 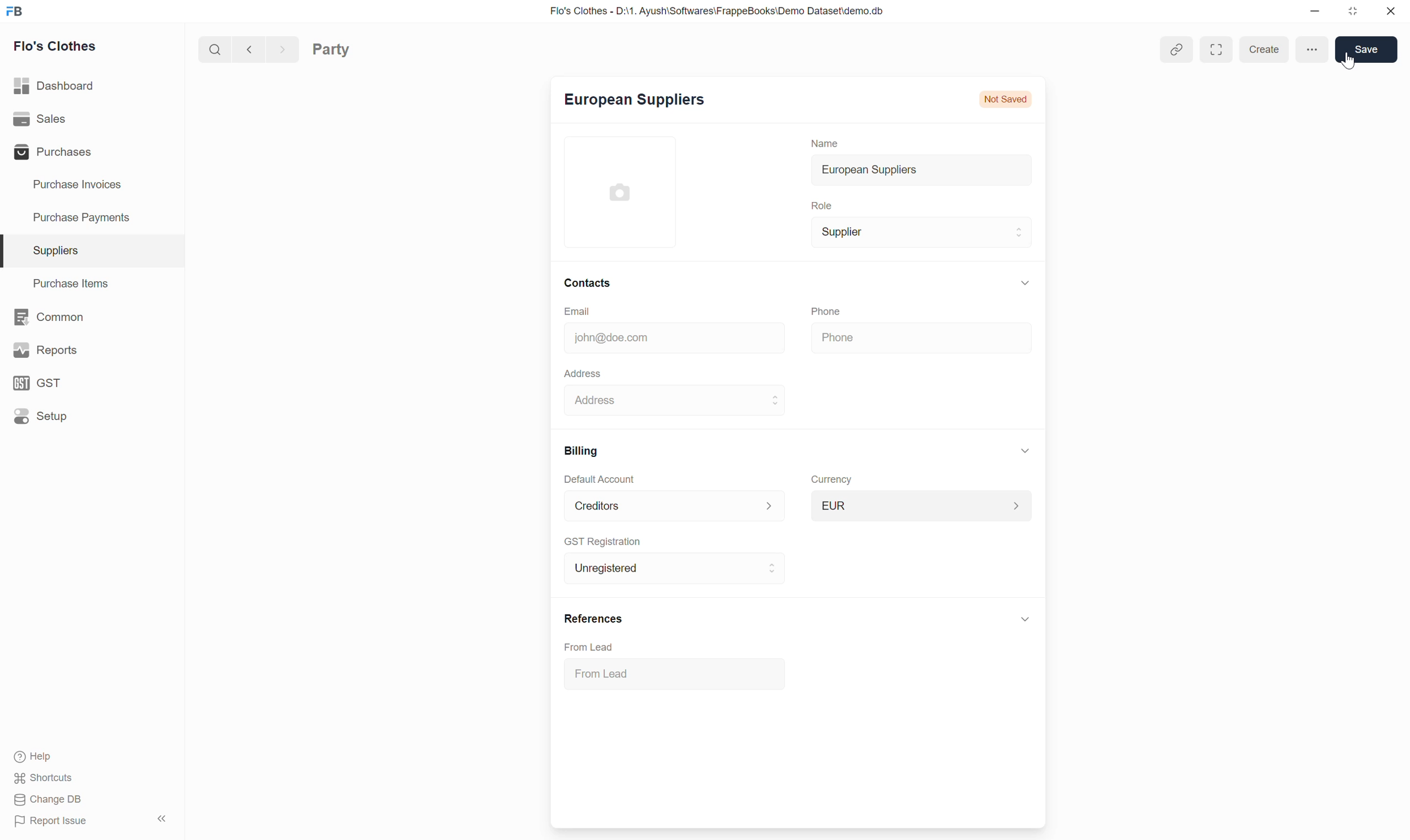 What do you see at coordinates (598, 478) in the screenshot?
I see `Default Account` at bounding box center [598, 478].